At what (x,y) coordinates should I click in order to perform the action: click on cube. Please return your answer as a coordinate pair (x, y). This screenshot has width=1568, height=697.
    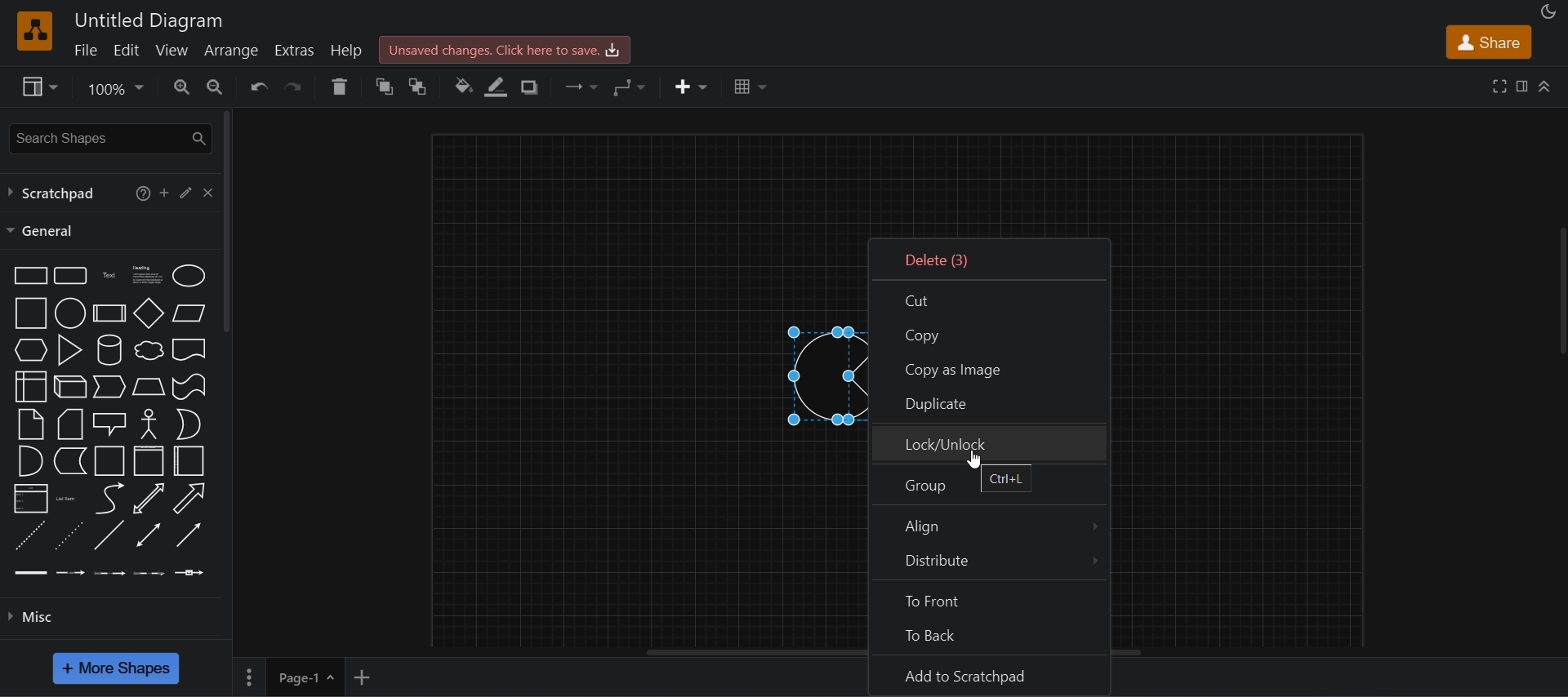
    Looking at the image, I should click on (70, 385).